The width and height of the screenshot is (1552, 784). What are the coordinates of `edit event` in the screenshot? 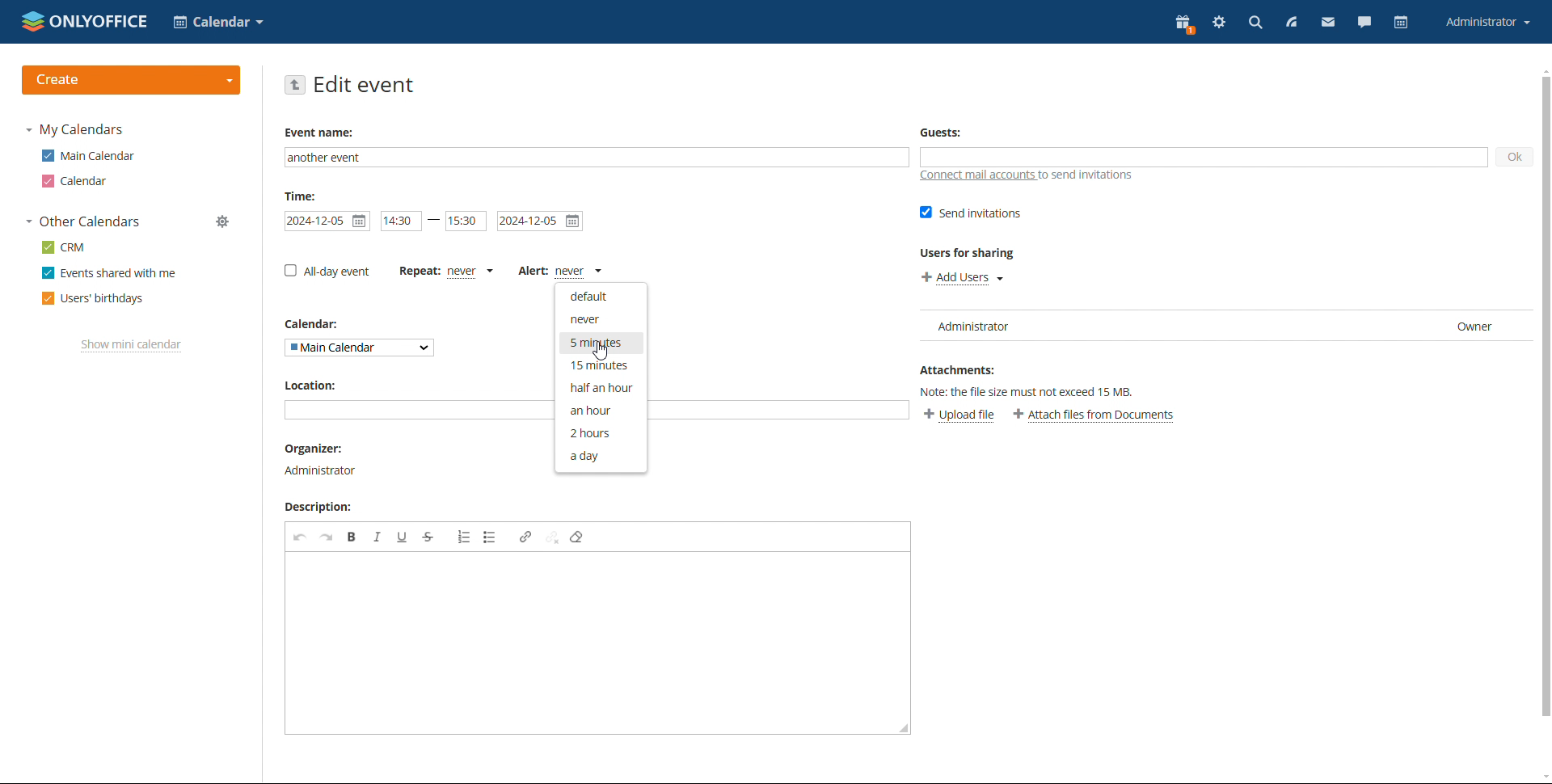 It's located at (365, 84).